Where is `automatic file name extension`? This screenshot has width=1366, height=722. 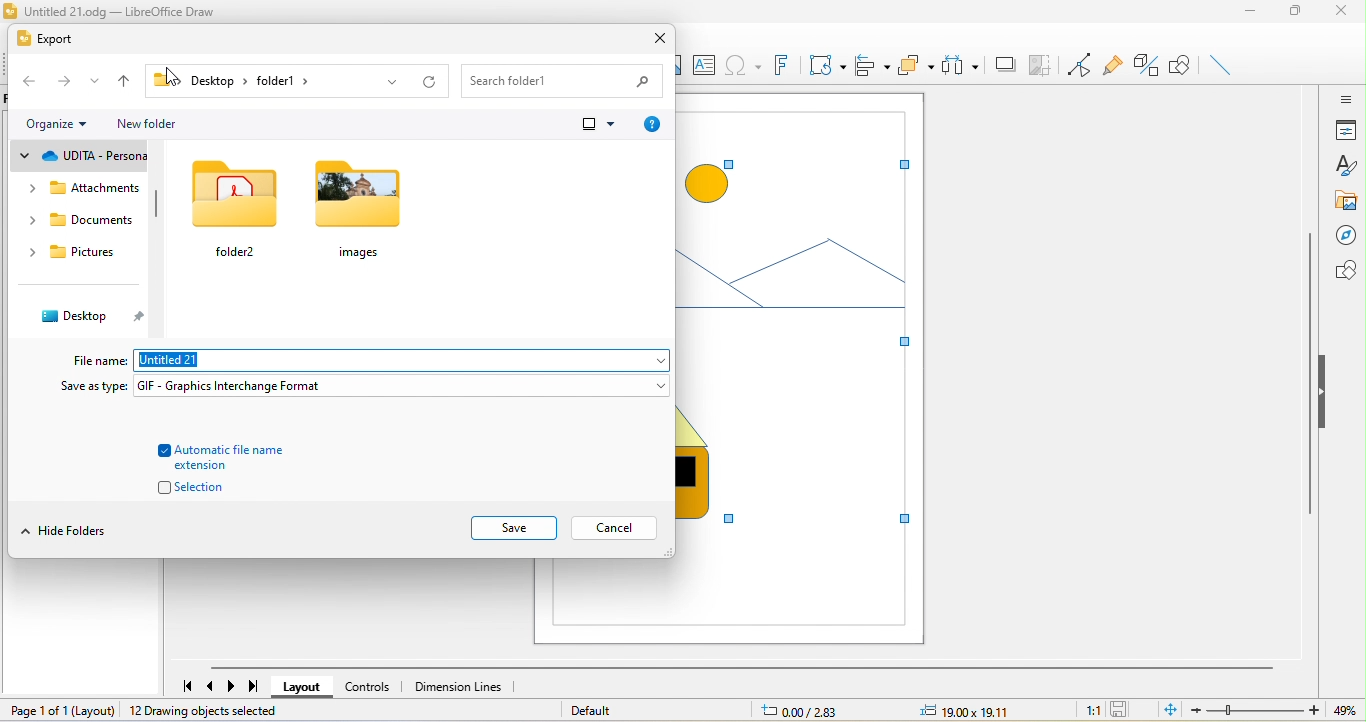 automatic file name extension is located at coordinates (232, 457).